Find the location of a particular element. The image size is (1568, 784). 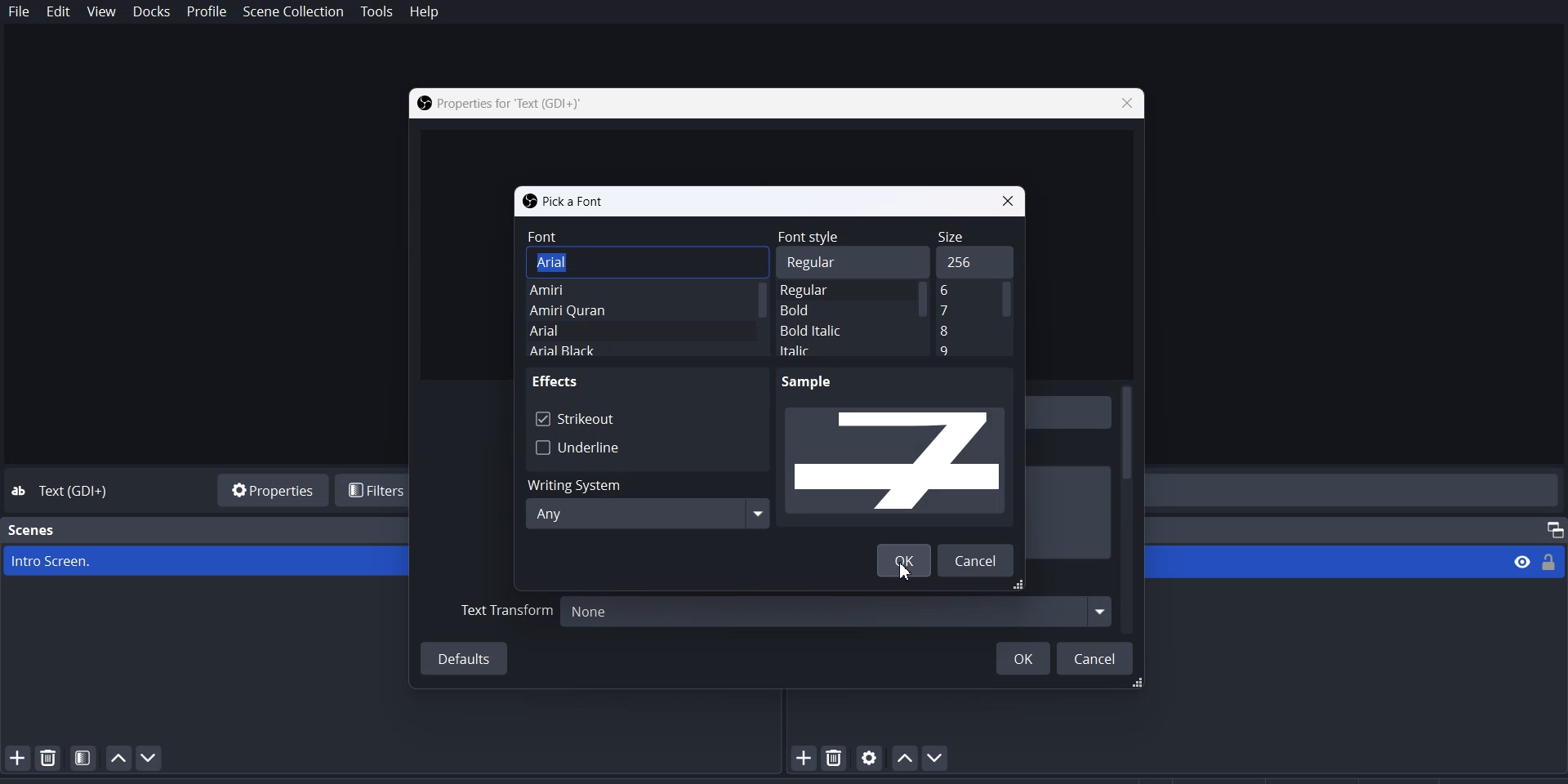

Arial is located at coordinates (602, 261).